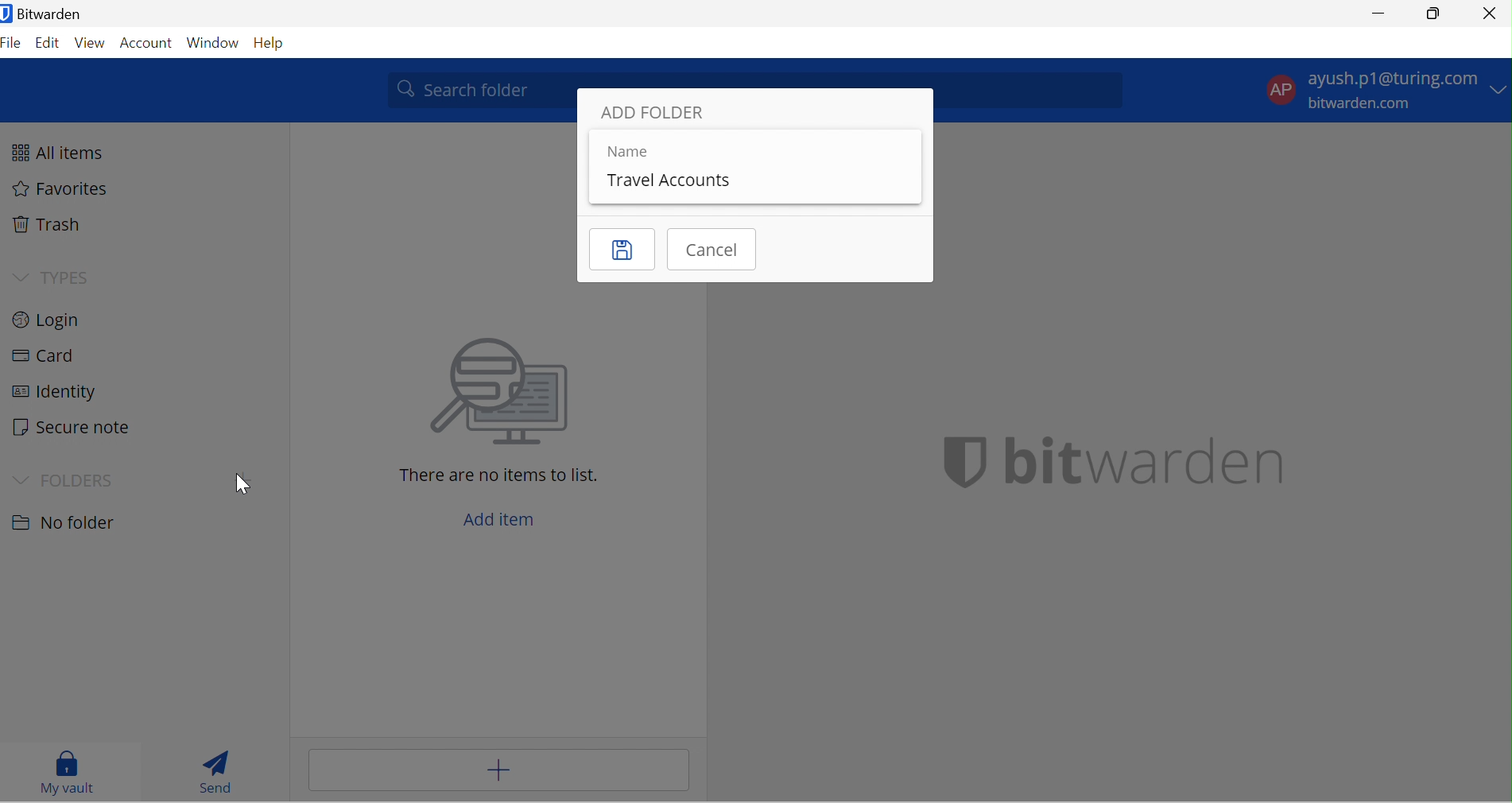 Image resolution: width=1512 pixels, height=803 pixels. Describe the element at coordinates (52, 394) in the screenshot. I see `Identity` at that location.